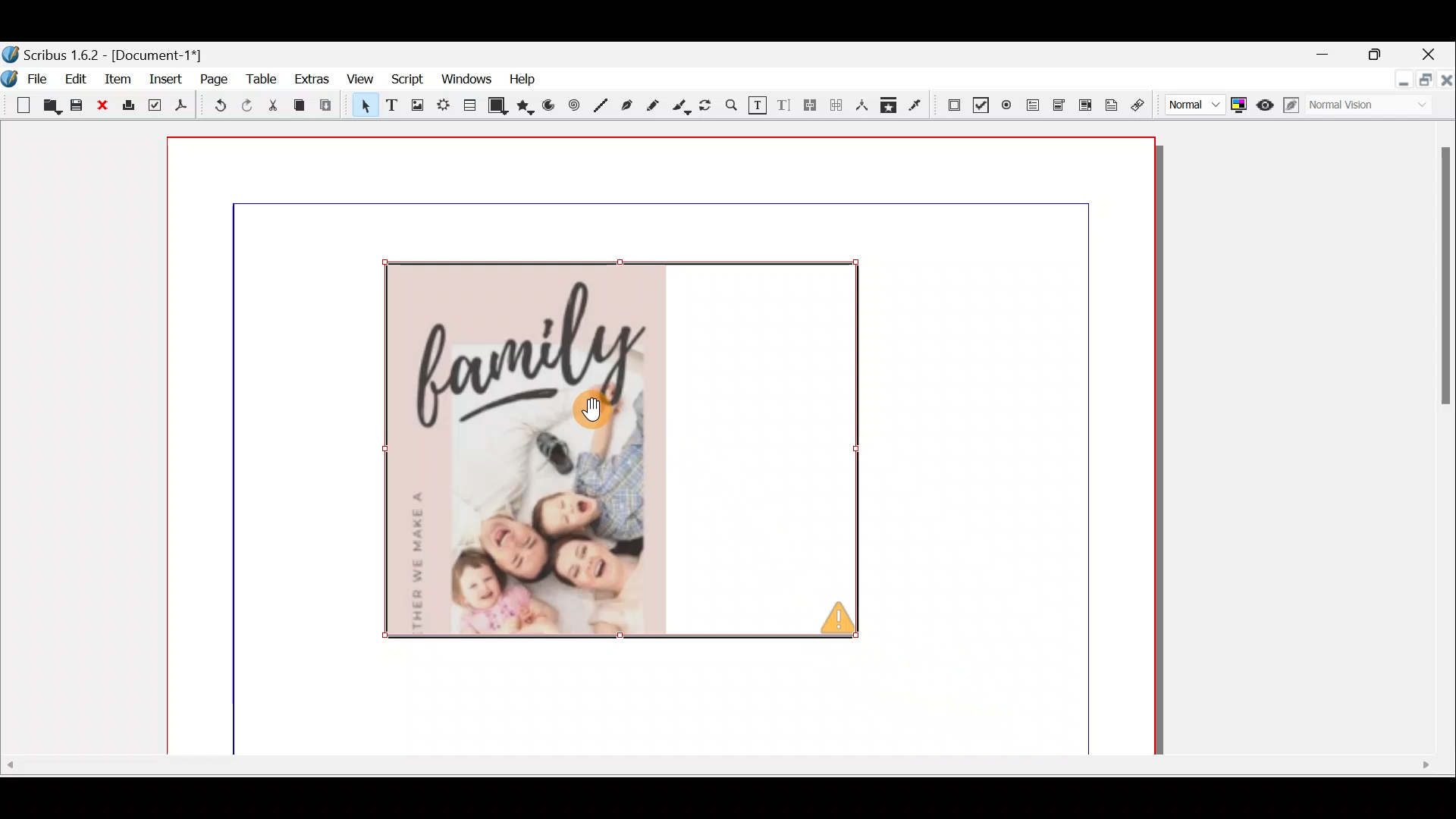 The width and height of the screenshot is (1456, 819). What do you see at coordinates (77, 78) in the screenshot?
I see `Edit` at bounding box center [77, 78].